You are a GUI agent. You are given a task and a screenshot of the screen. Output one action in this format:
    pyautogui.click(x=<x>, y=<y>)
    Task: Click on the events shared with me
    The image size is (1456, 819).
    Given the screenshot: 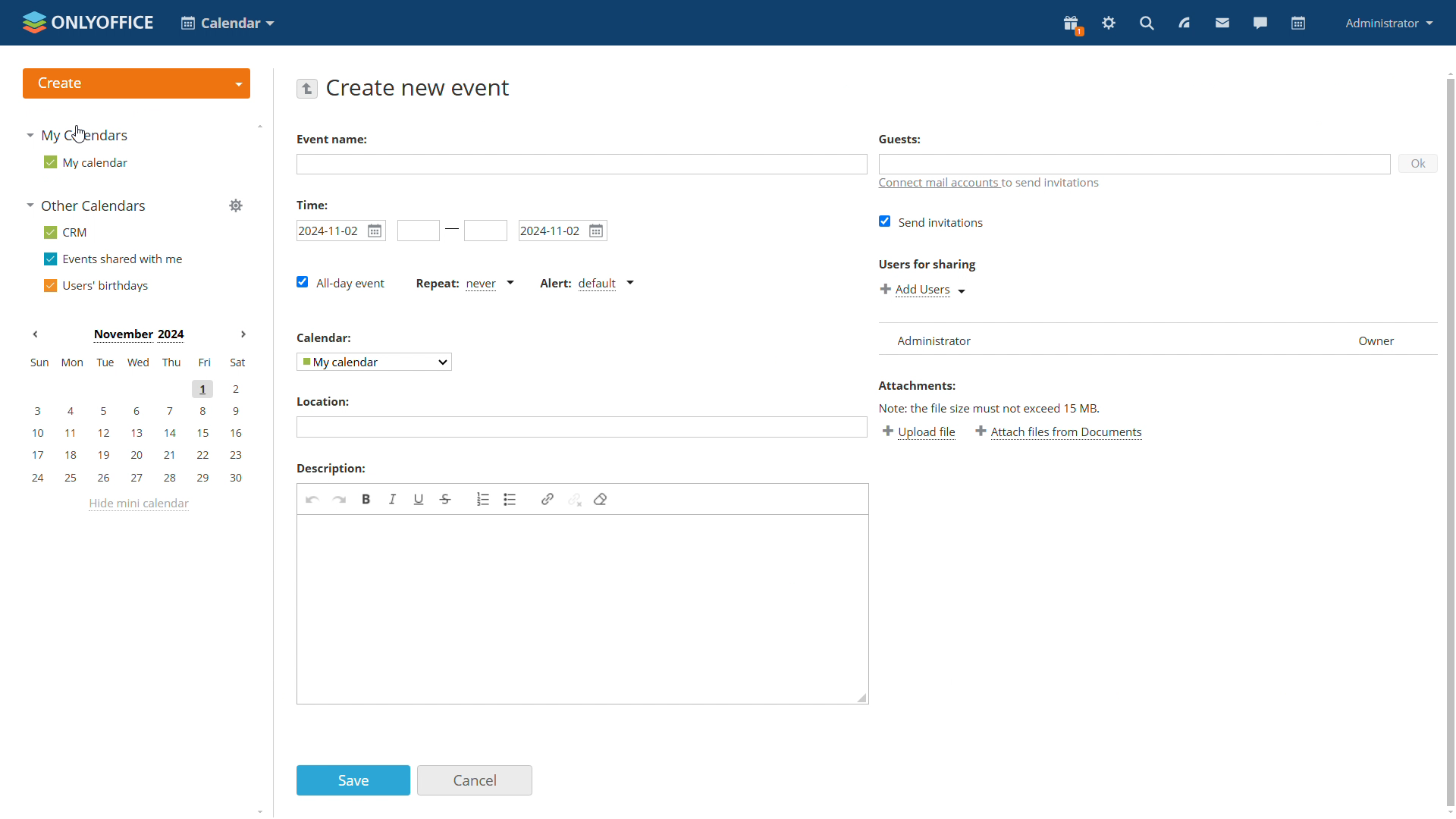 What is the action you would take?
    pyautogui.click(x=113, y=259)
    